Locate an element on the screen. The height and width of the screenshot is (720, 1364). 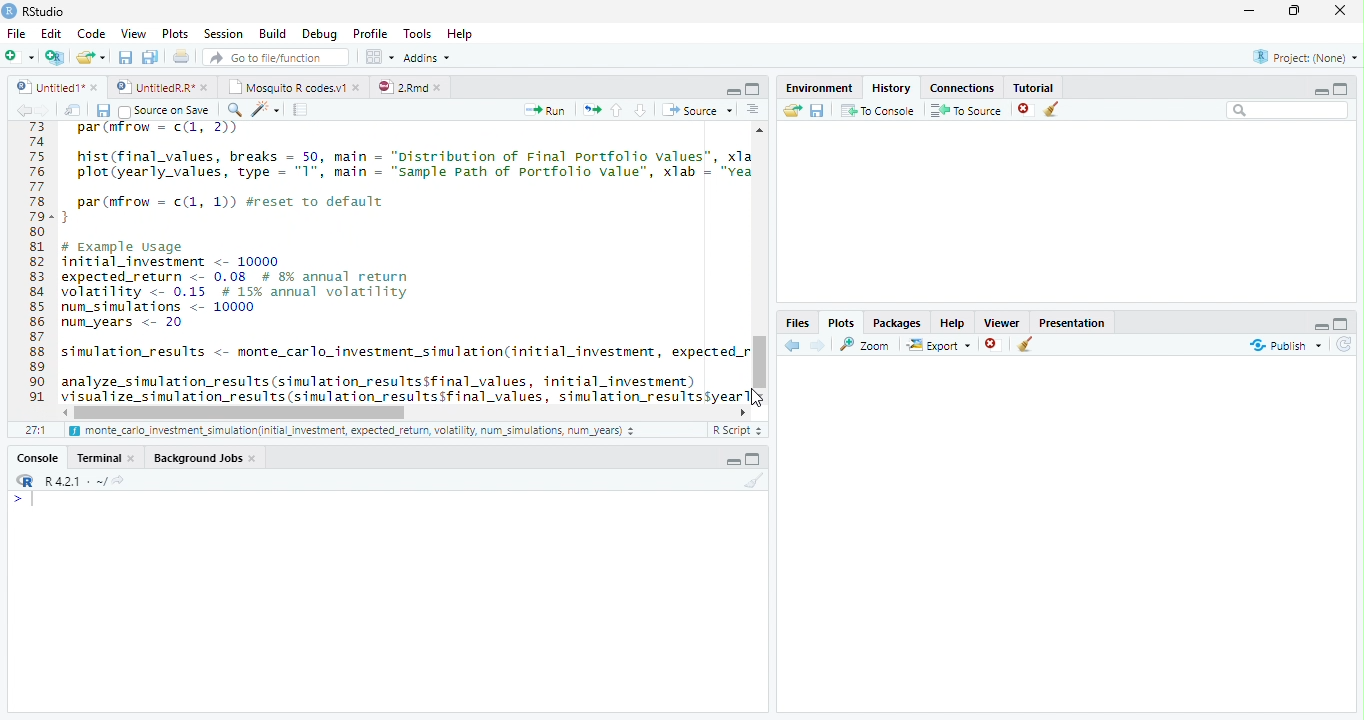
publish is located at coordinates (1285, 345).